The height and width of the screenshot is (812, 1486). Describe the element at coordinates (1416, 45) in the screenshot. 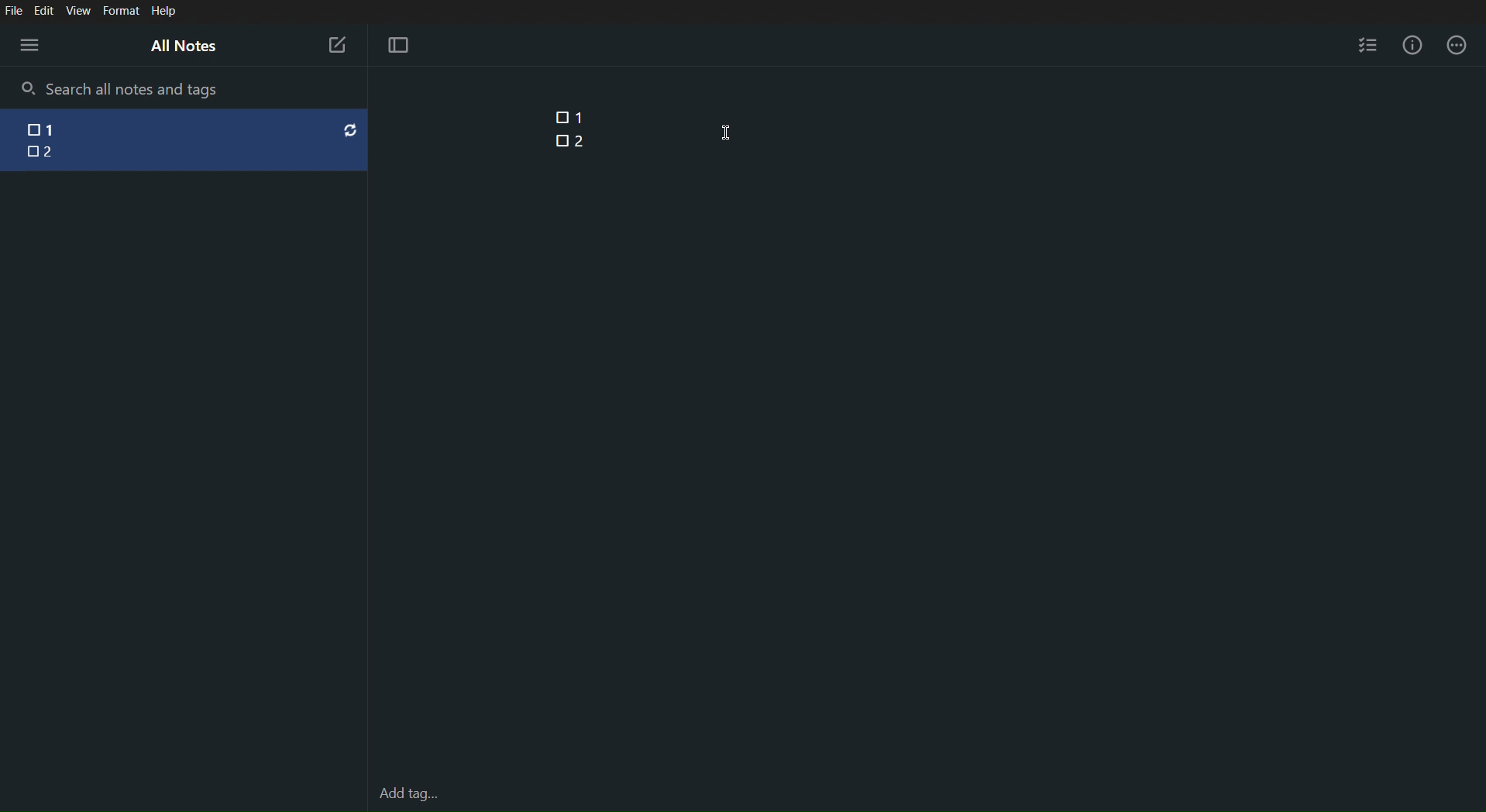

I see `Info` at that location.